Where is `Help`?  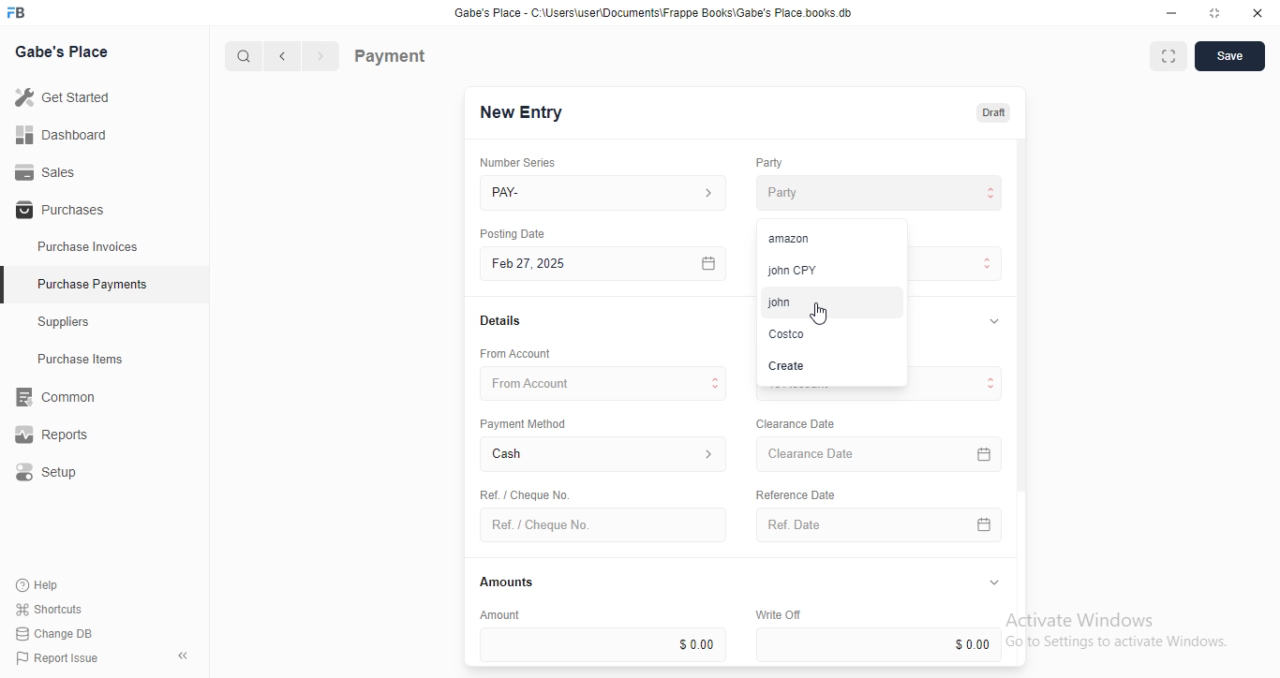
Help is located at coordinates (40, 586).